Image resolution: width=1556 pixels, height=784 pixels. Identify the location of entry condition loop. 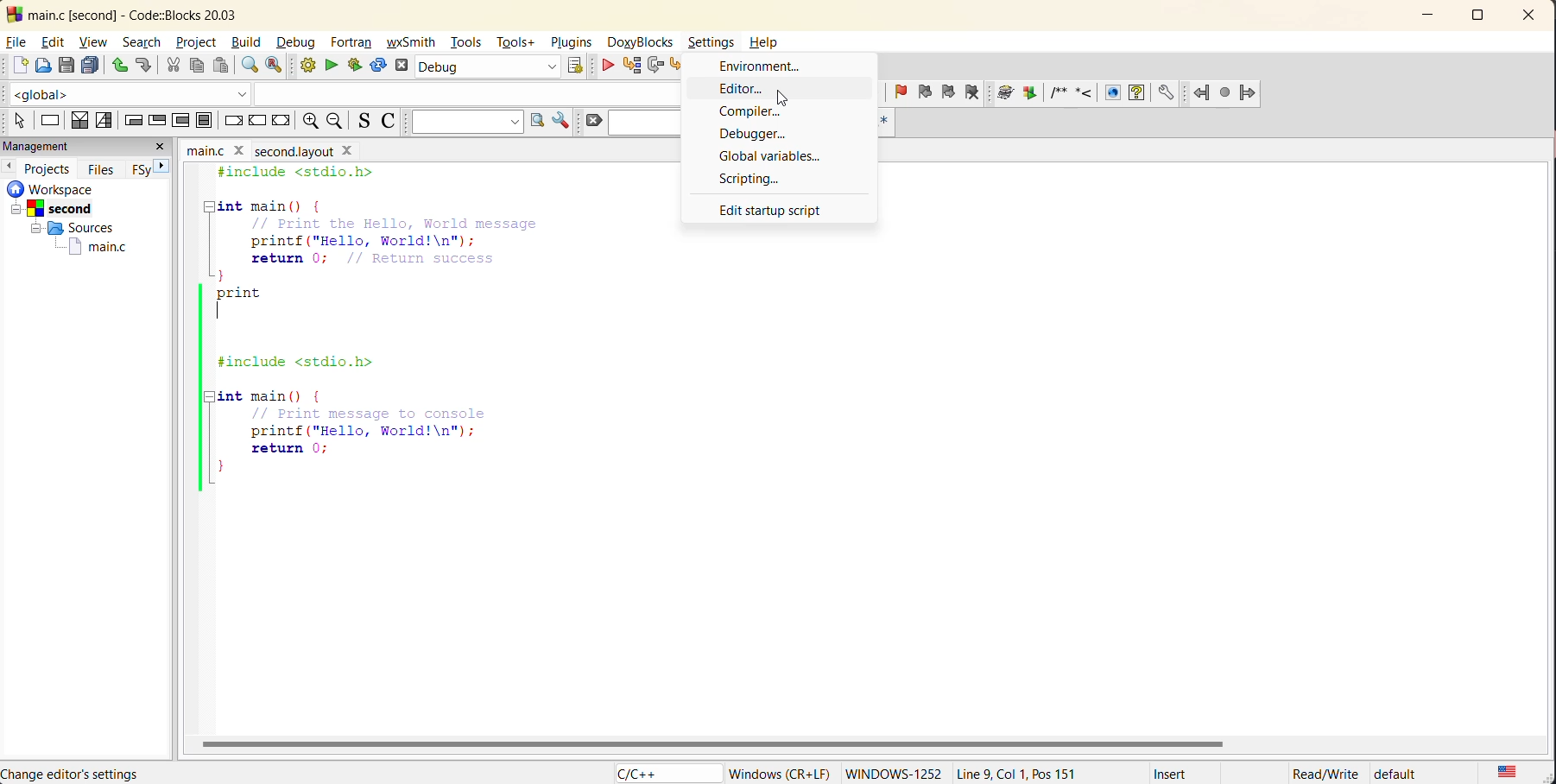
(132, 121).